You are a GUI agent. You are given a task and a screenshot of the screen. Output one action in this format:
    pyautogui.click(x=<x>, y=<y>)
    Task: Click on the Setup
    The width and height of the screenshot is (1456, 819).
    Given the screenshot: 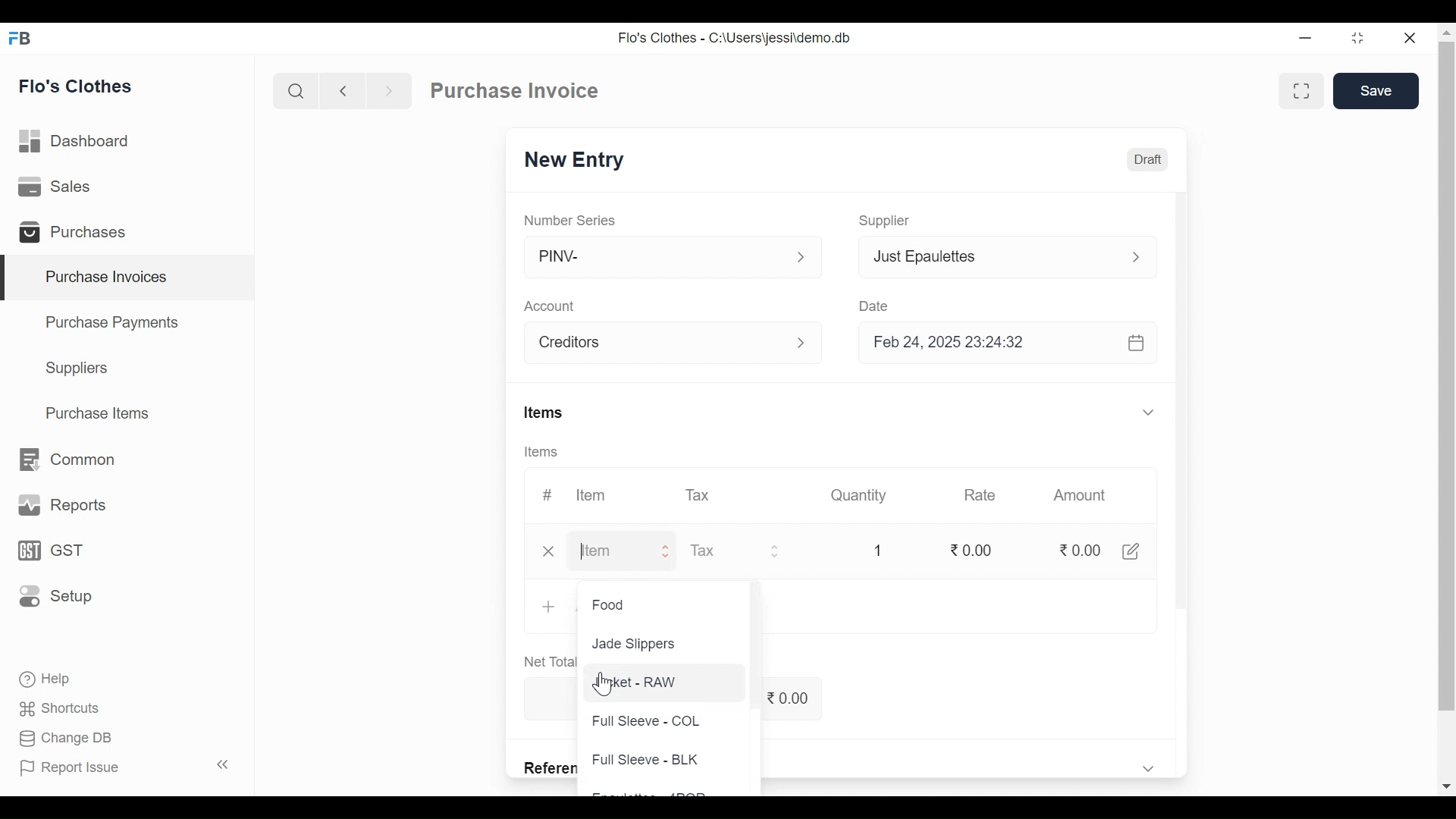 What is the action you would take?
    pyautogui.click(x=52, y=597)
    